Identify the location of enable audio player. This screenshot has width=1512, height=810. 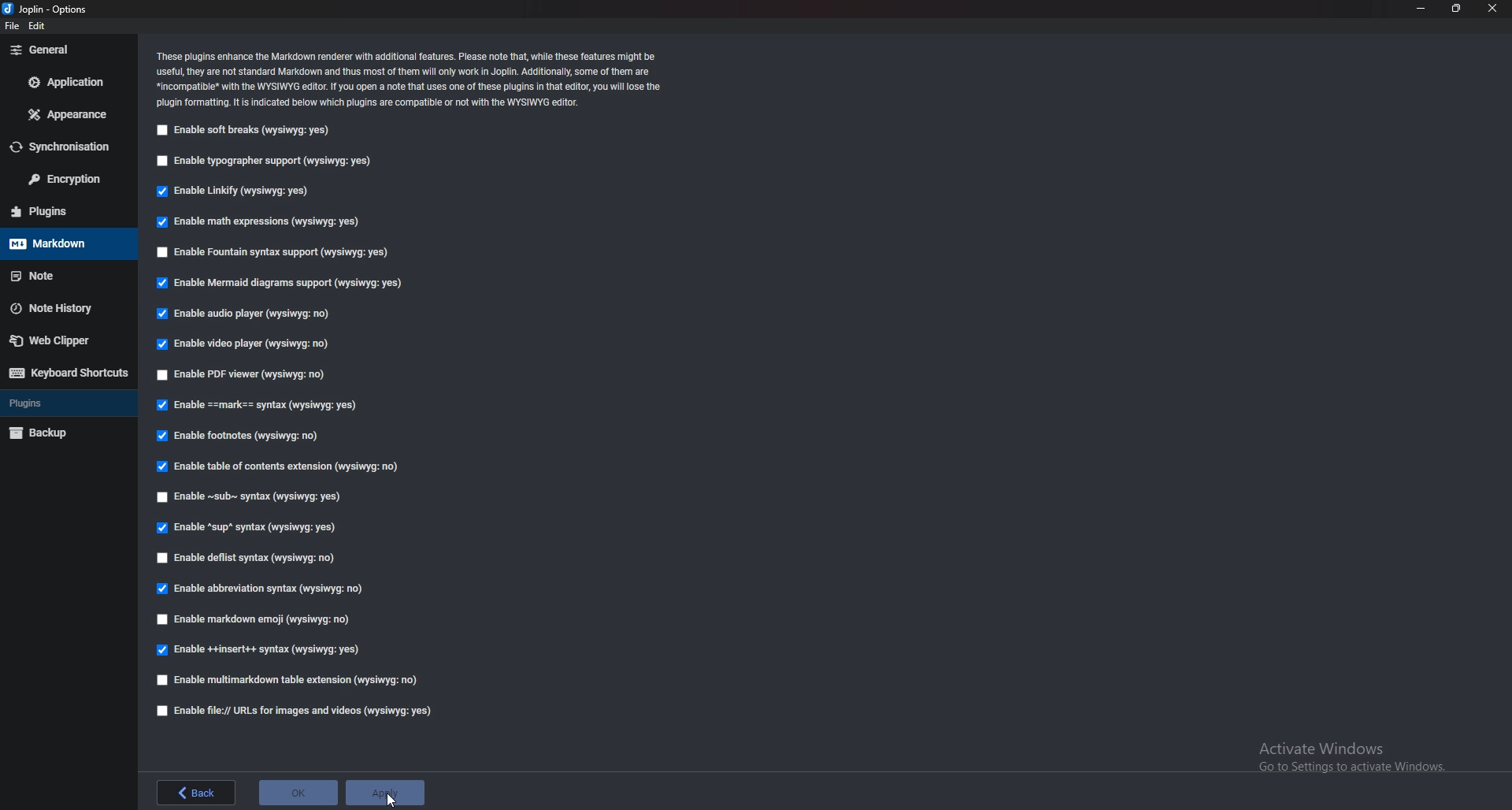
(251, 313).